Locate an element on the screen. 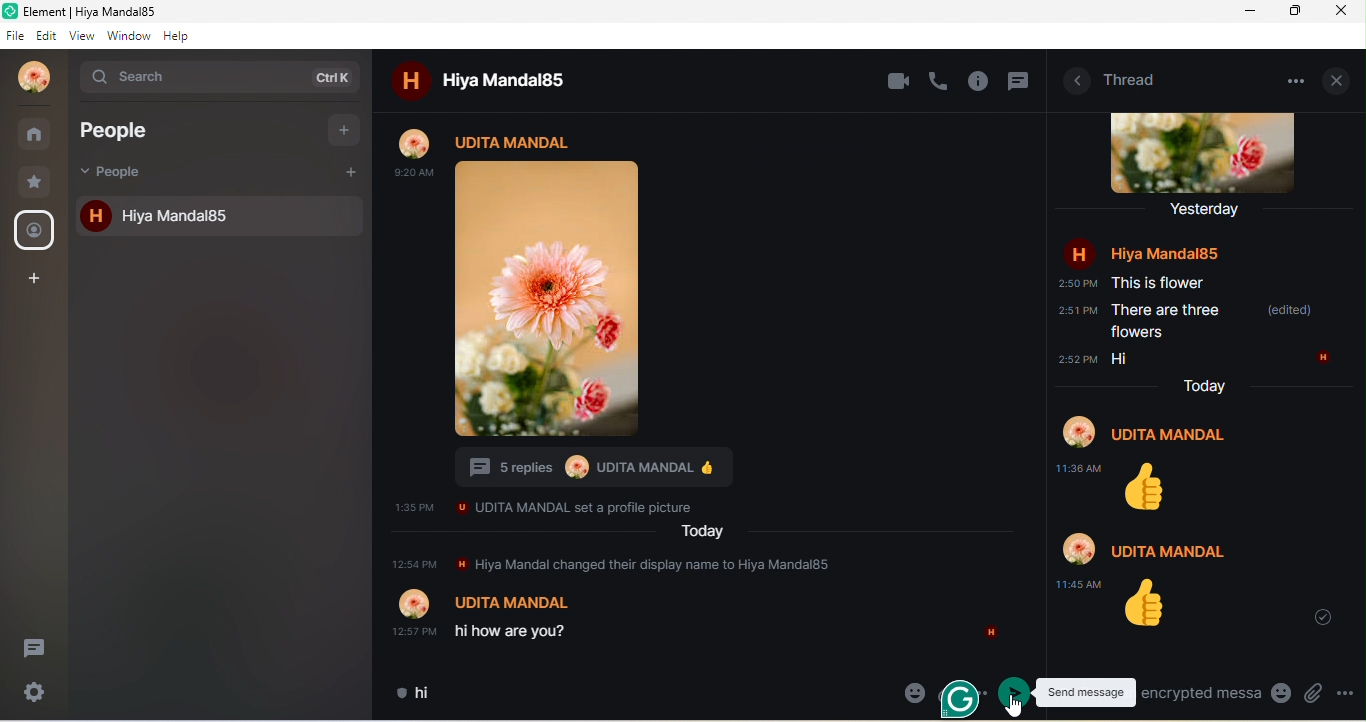  h is located at coordinates (407, 81).